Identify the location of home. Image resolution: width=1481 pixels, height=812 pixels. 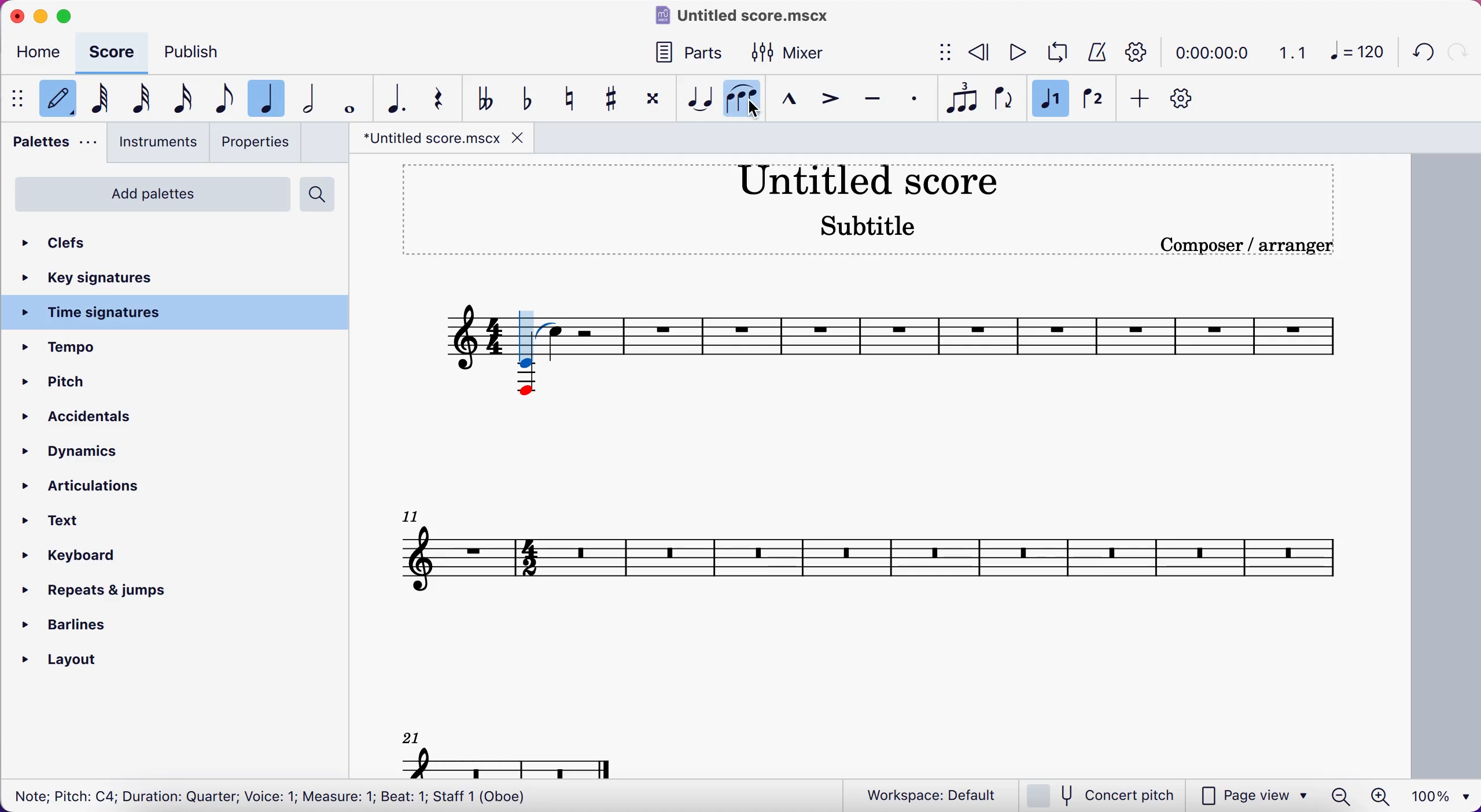
(42, 55).